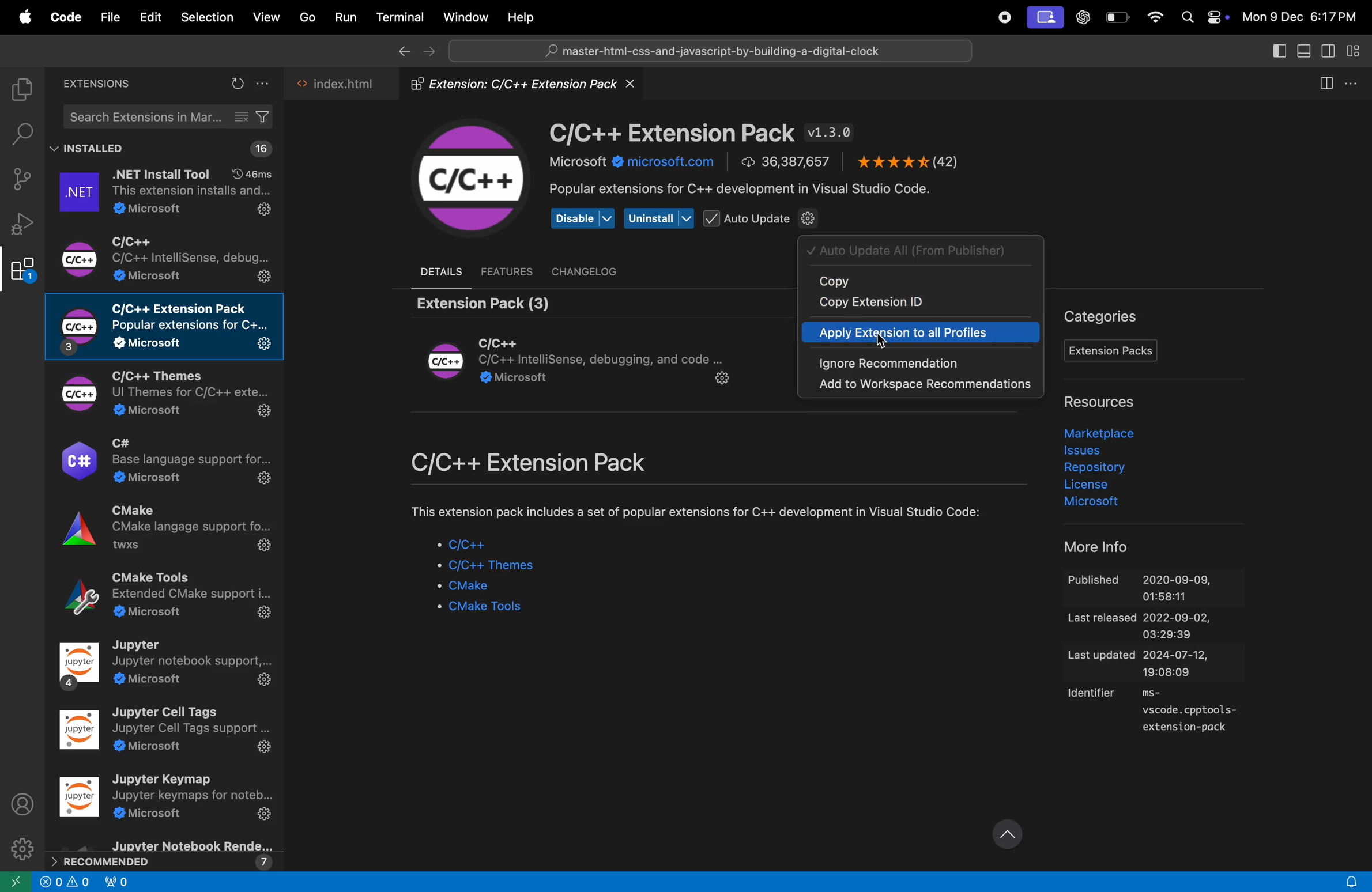 Image resolution: width=1372 pixels, height=892 pixels. What do you see at coordinates (166, 667) in the screenshot?
I see `jupyter note book extensions` at bounding box center [166, 667].